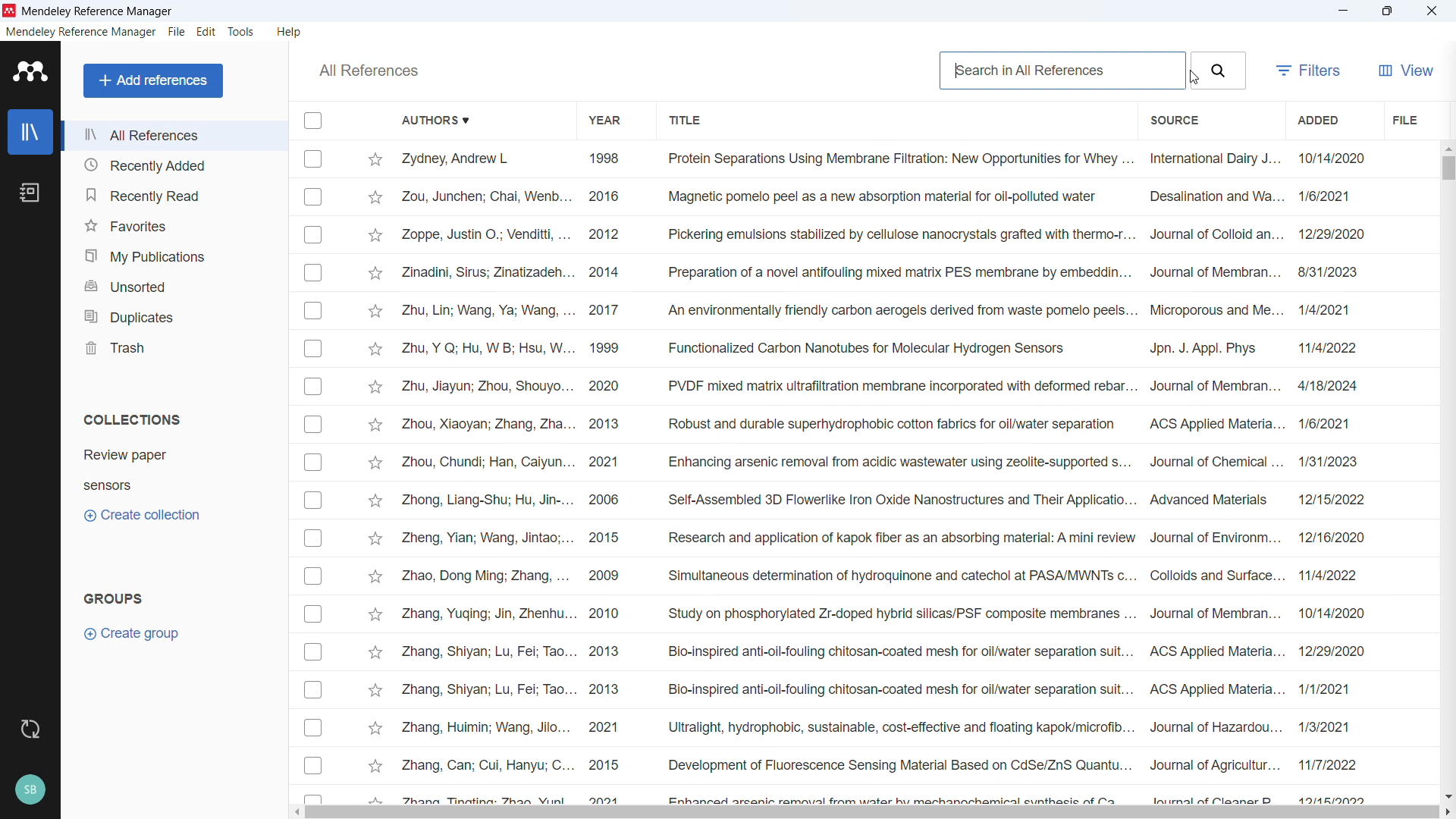 This screenshot has height=819, width=1456. Describe the element at coordinates (240, 32) in the screenshot. I see `tools` at that location.